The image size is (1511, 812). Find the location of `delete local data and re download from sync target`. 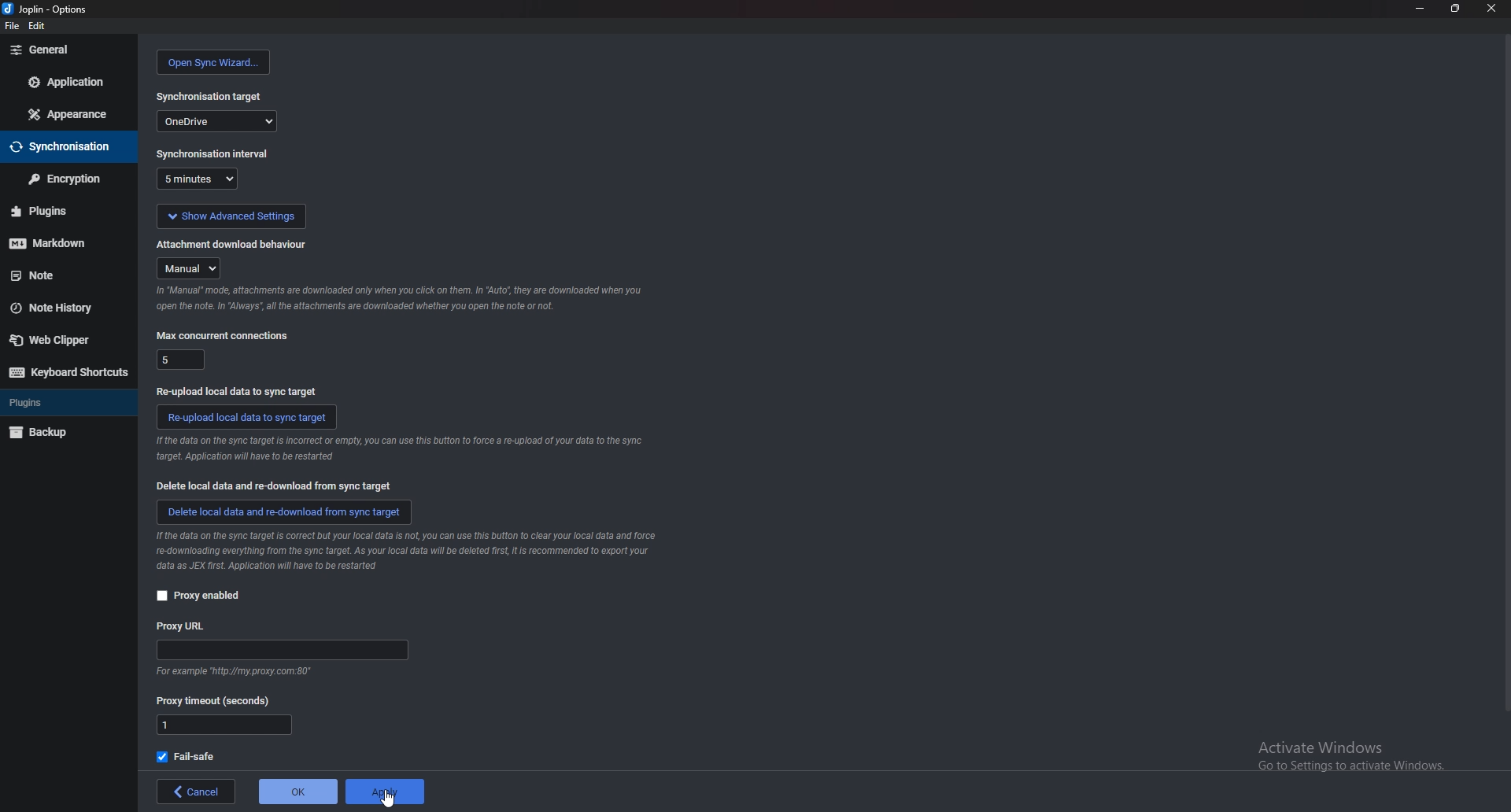

delete local data and re download from sync target is located at coordinates (286, 512).